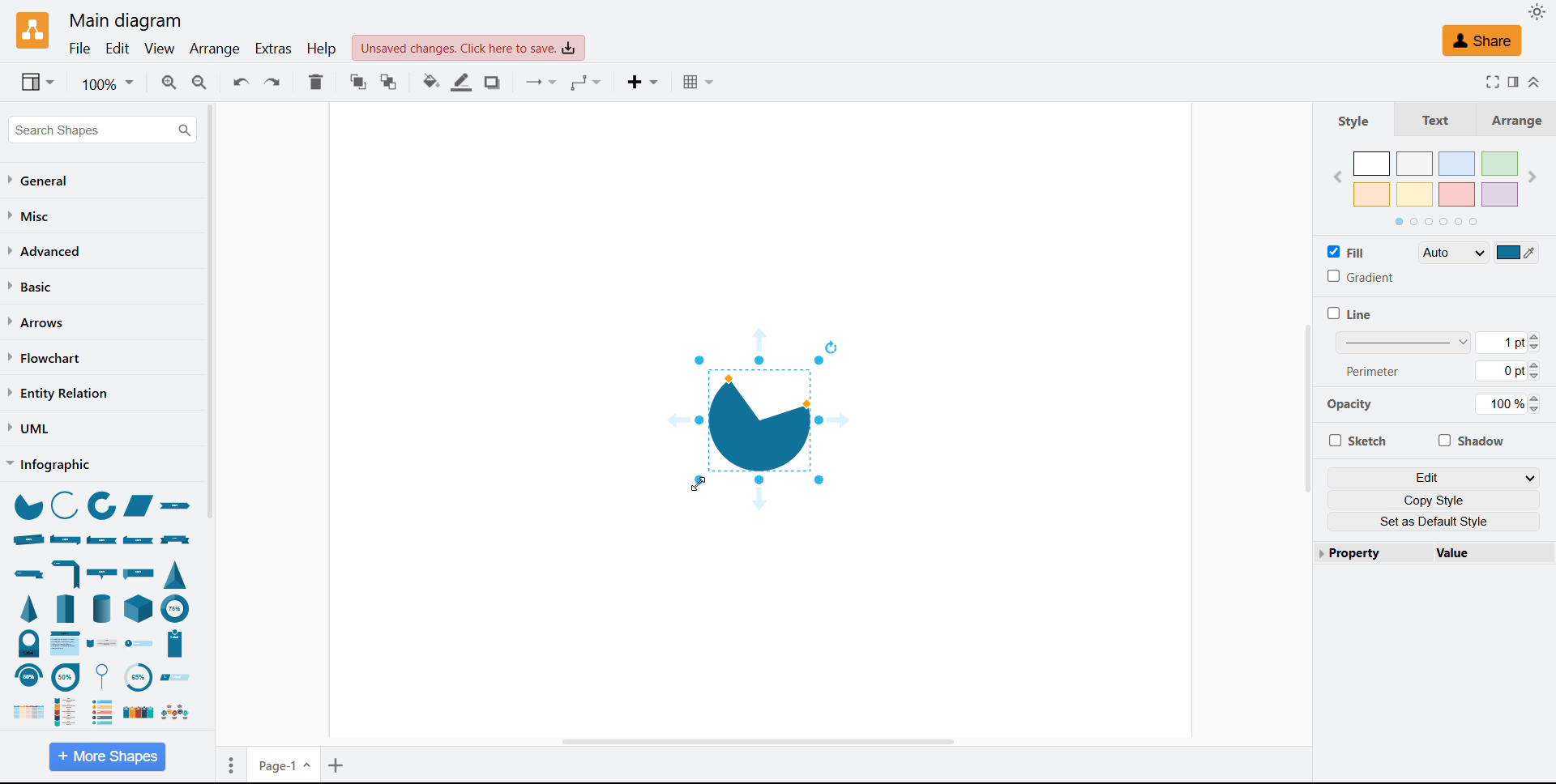  Describe the element at coordinates (106, 676) in the screenshot. I see `circular callout` at that location.